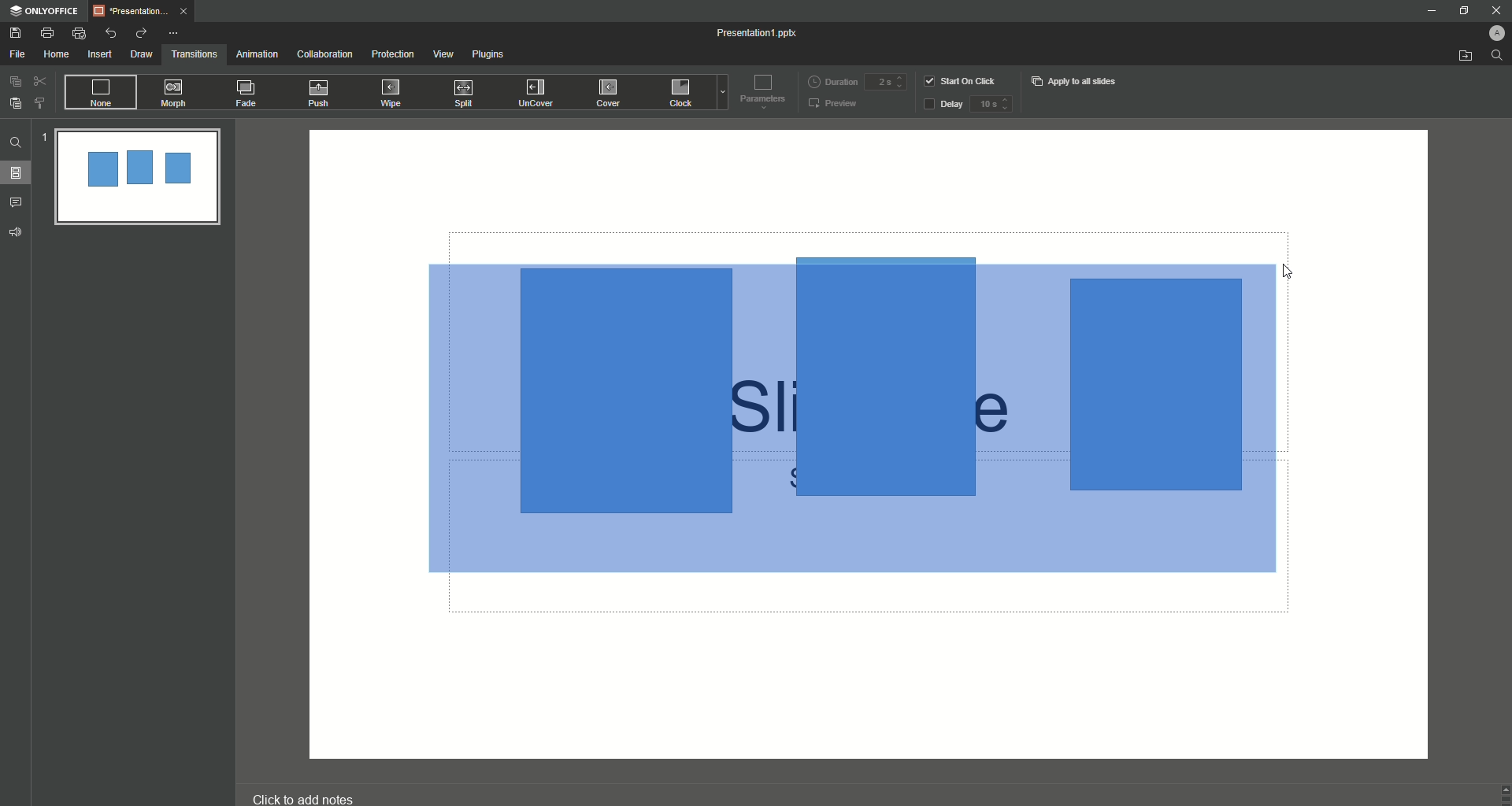 This screenshot has width=1512, height=806. What do you see at coordinates (176, 33) in the screenshot?
I see `More Options` at bounding box center [176, 33].